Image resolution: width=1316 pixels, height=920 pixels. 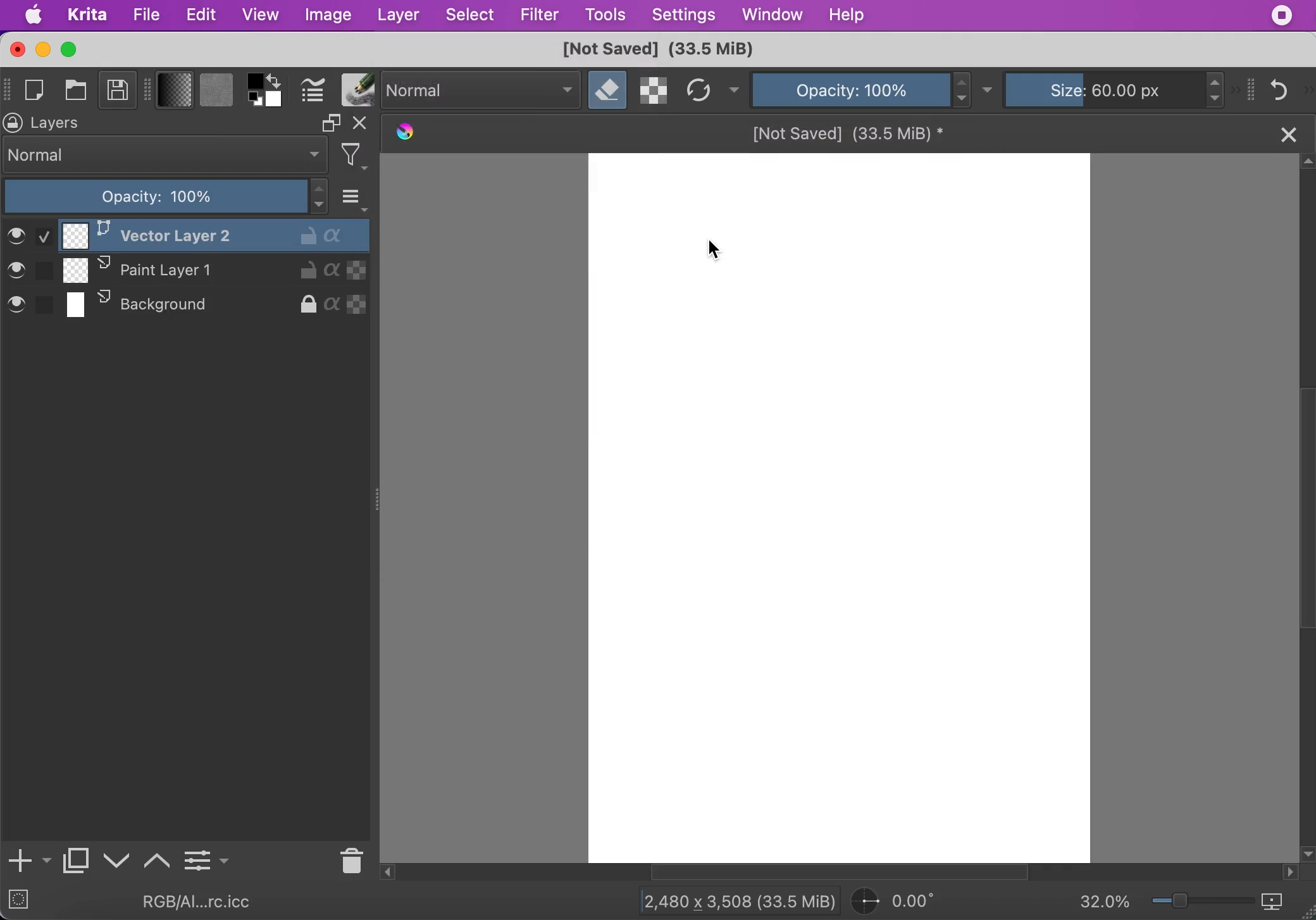 What do you see at coordinates (193, 272) in the screenshot?
I see `paint layer 1` at bounding box center [193, 272].